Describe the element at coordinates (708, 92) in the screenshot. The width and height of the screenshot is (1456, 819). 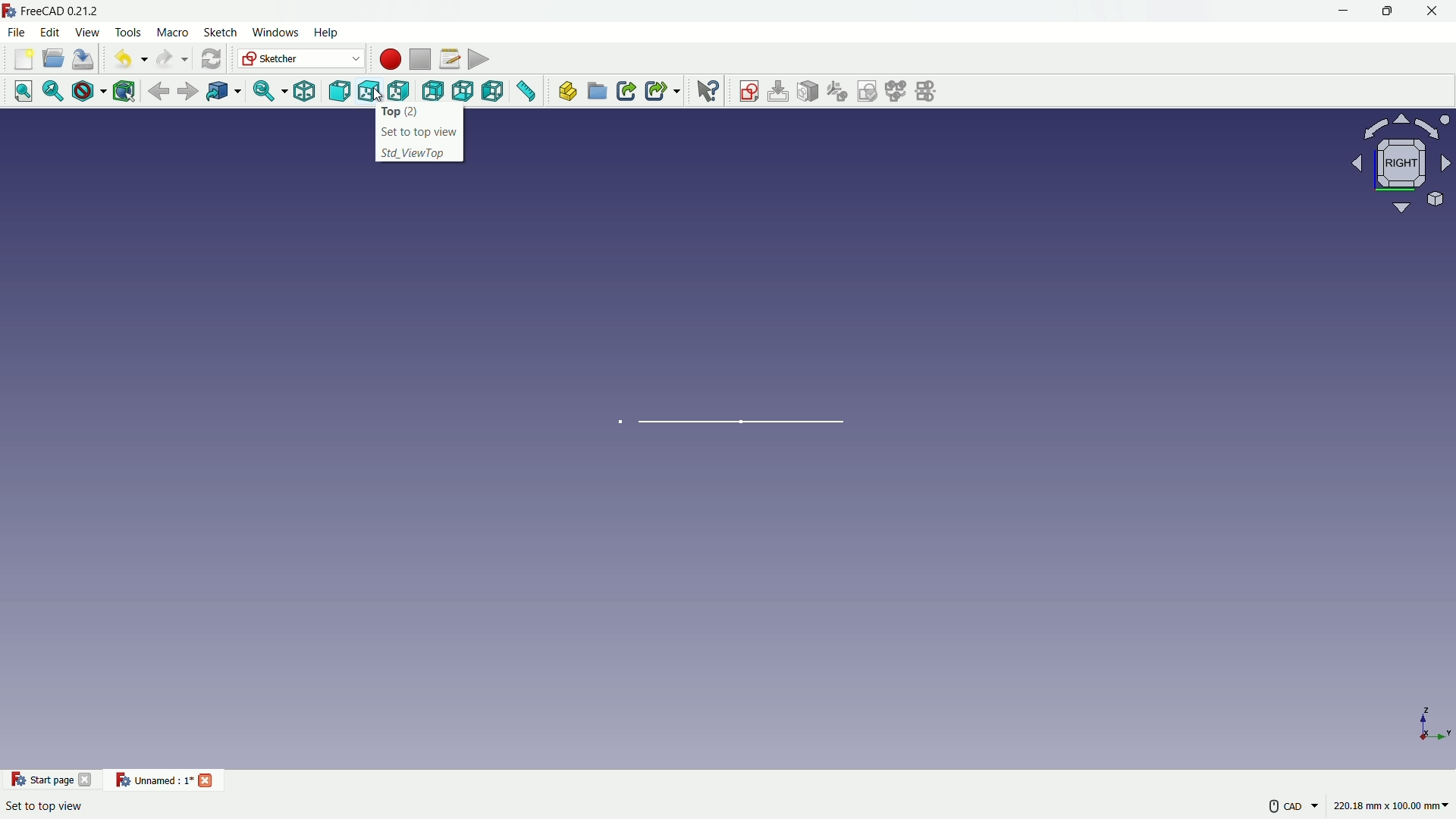
I see `help` at that location.